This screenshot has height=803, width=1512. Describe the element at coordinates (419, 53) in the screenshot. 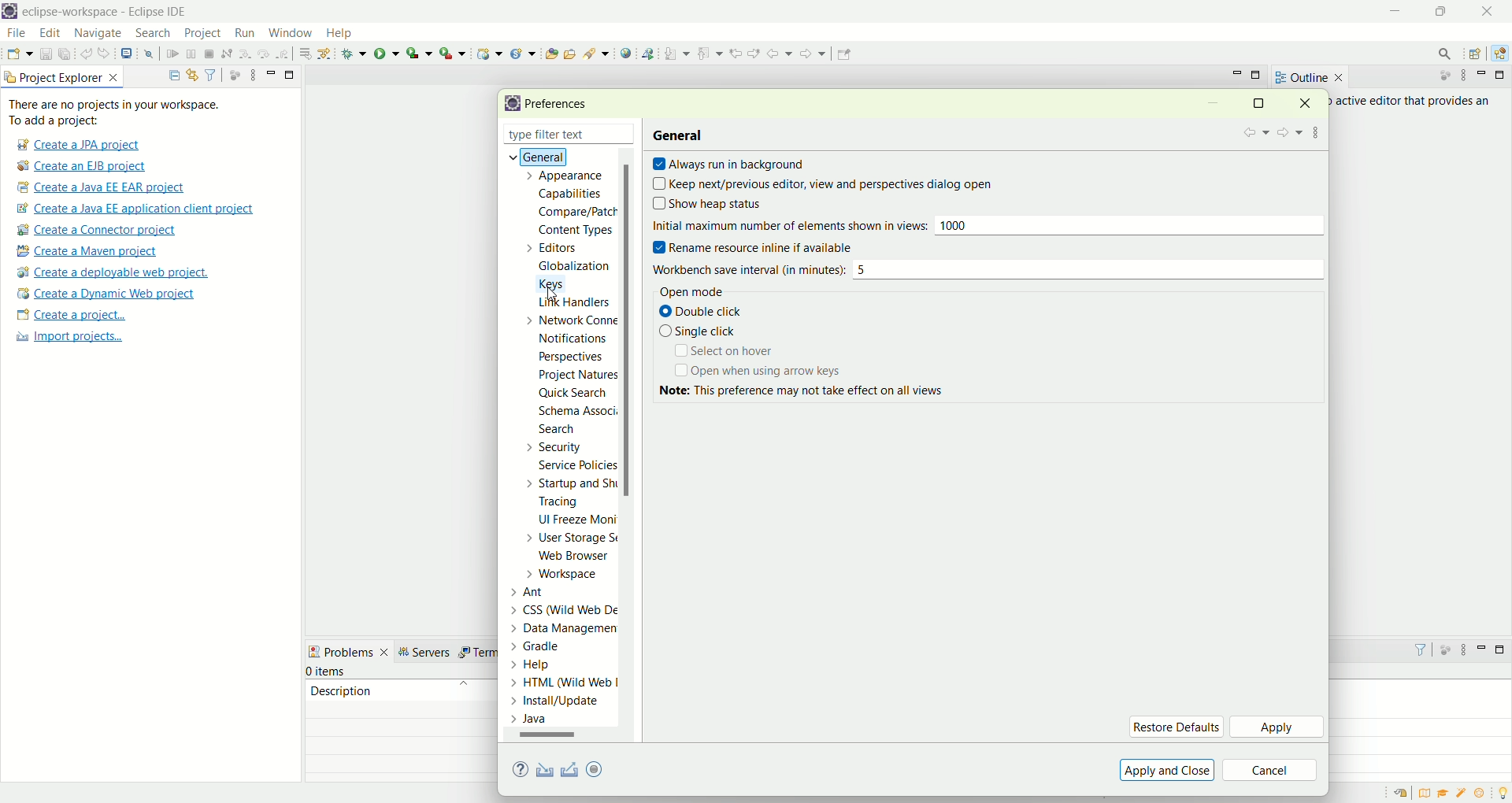

I see `coverage` at that location.